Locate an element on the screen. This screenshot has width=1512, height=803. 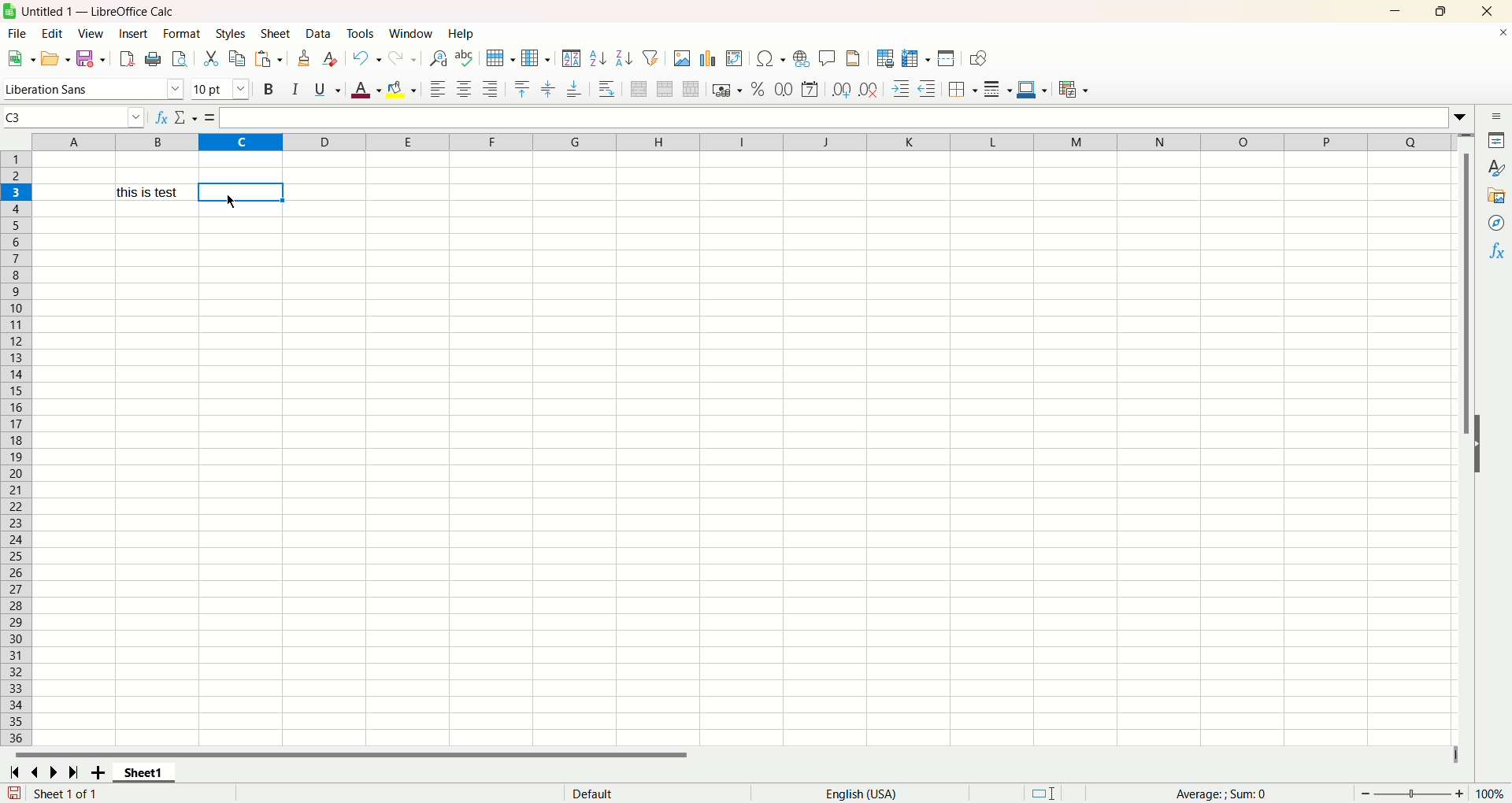
input line is located at coordinates (831, 117).